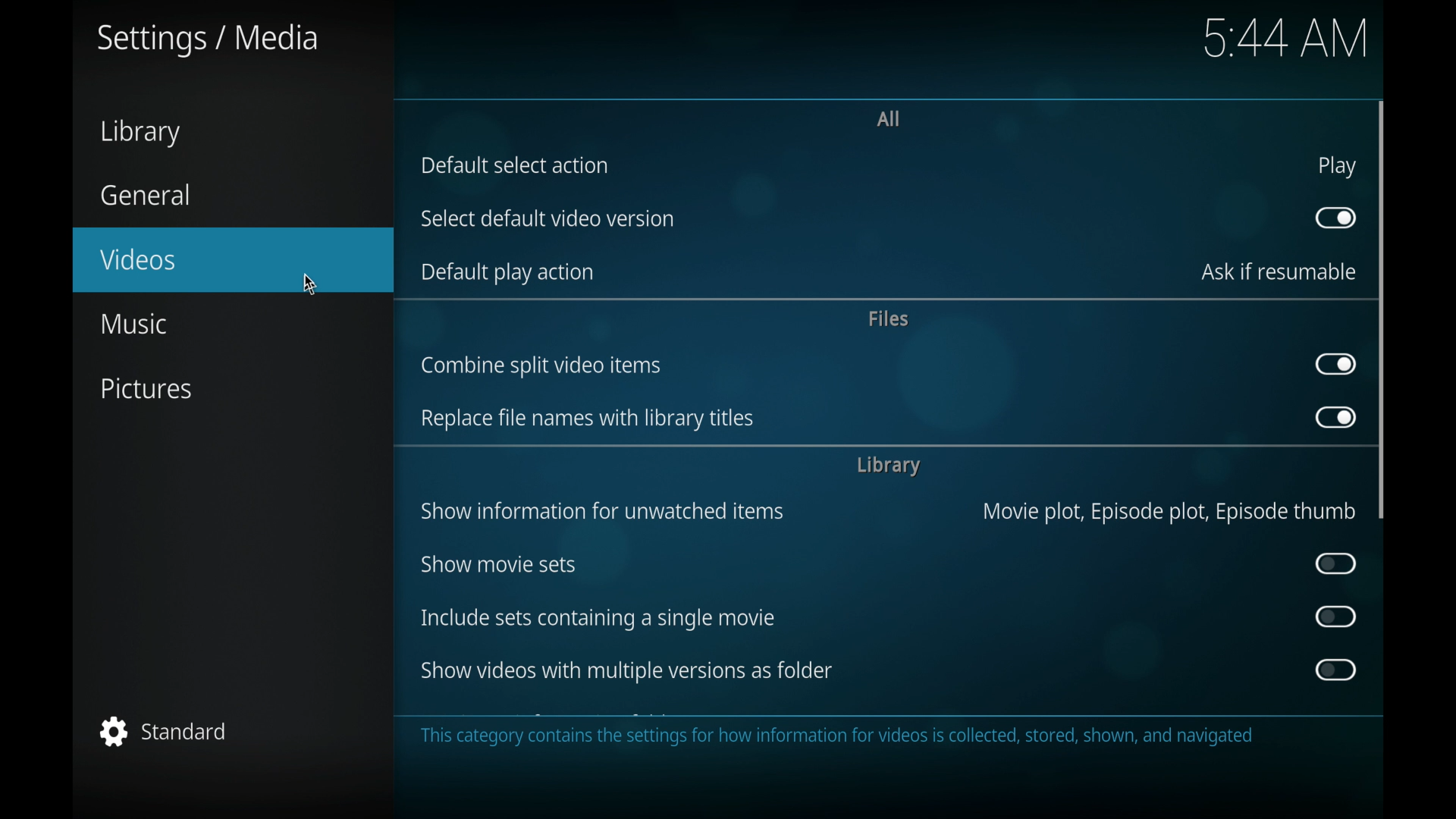 This screenshot has width=1456, height=819. Describe the element at coordinates (626, 671) in the screenshot. I see `show videos` at that location.